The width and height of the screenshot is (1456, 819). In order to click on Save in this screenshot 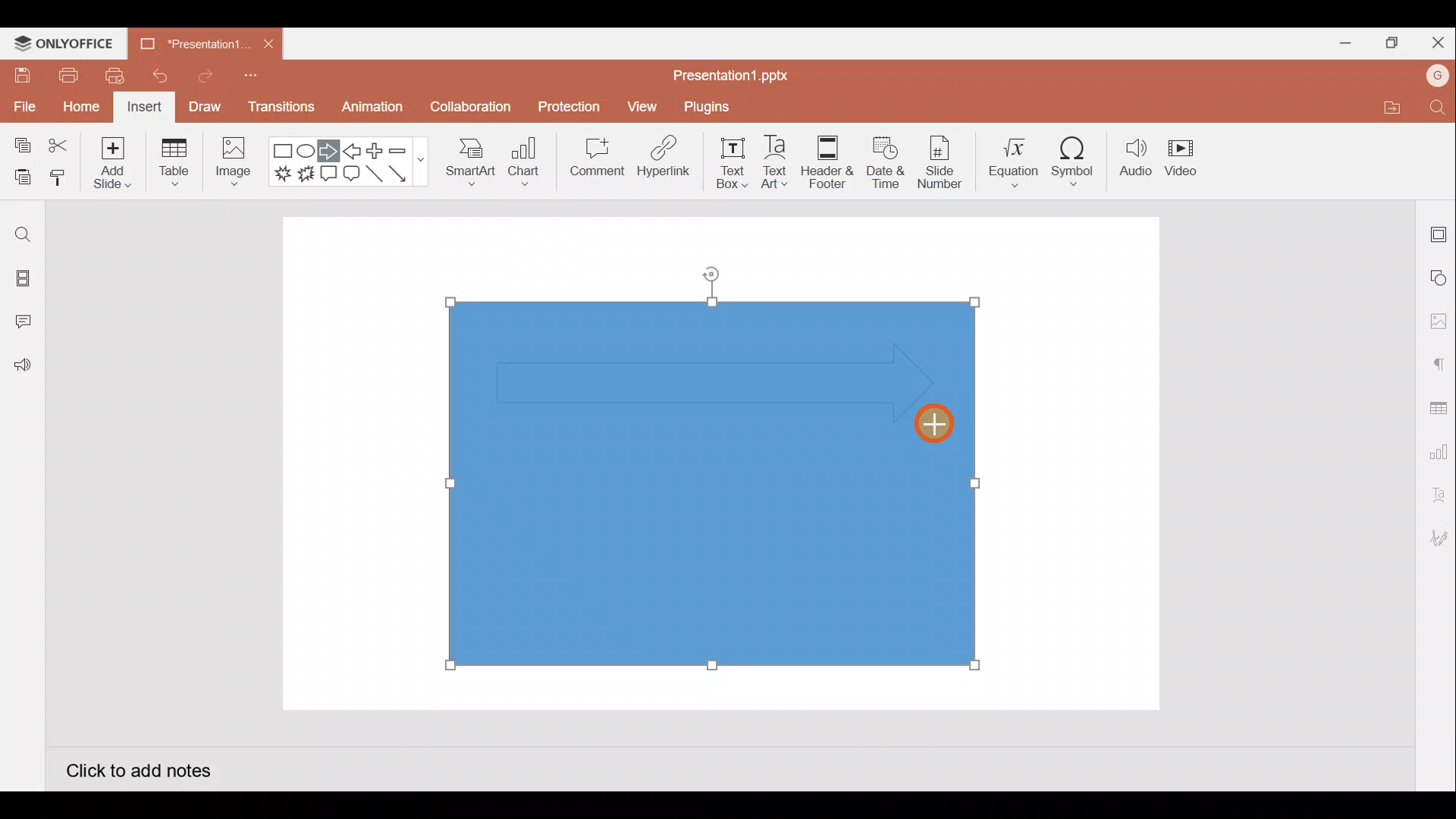, I will do `click(20, 74)`.